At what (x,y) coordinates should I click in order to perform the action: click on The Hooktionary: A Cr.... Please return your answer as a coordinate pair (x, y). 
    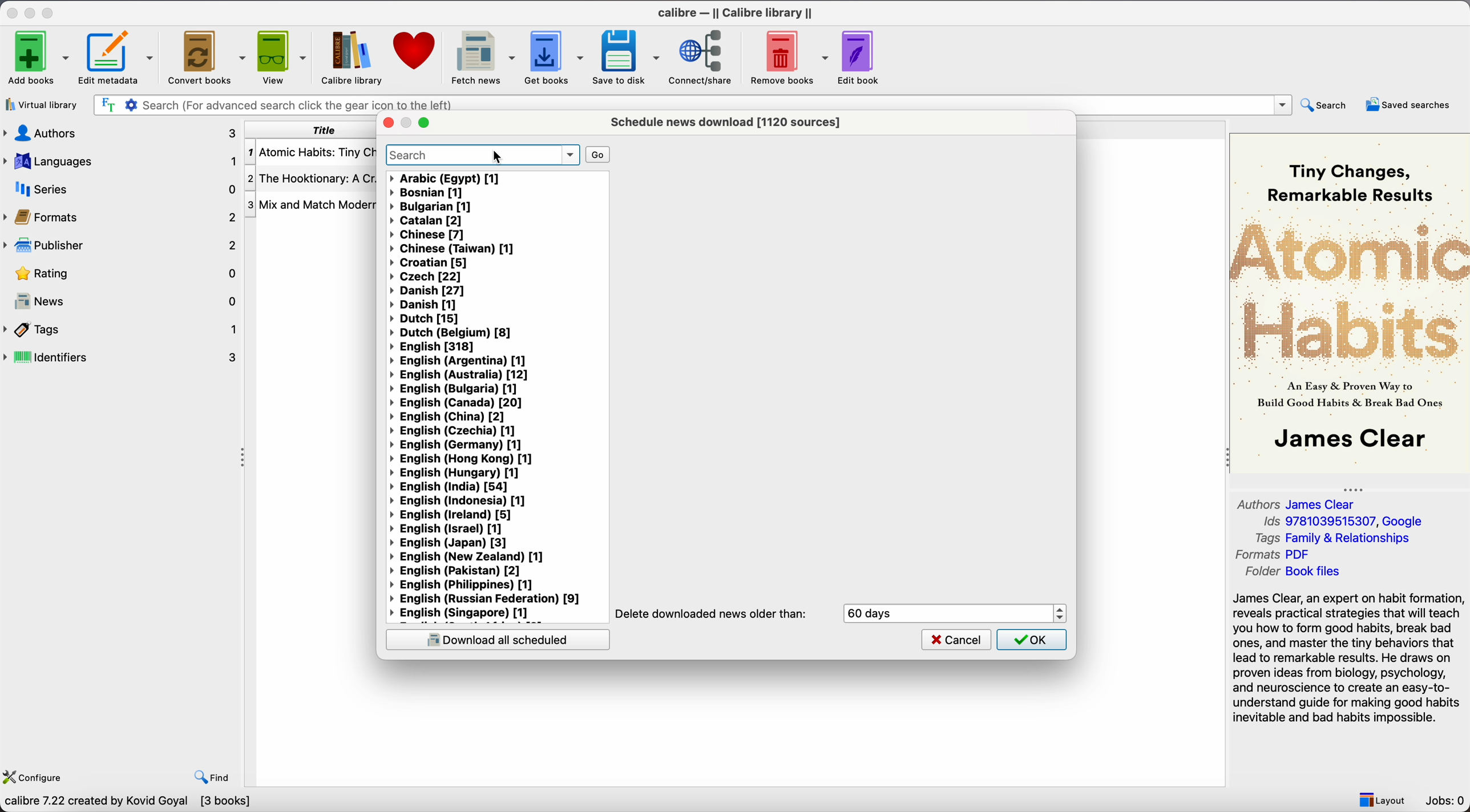
    Looking at the image, I should click on (312, 179).